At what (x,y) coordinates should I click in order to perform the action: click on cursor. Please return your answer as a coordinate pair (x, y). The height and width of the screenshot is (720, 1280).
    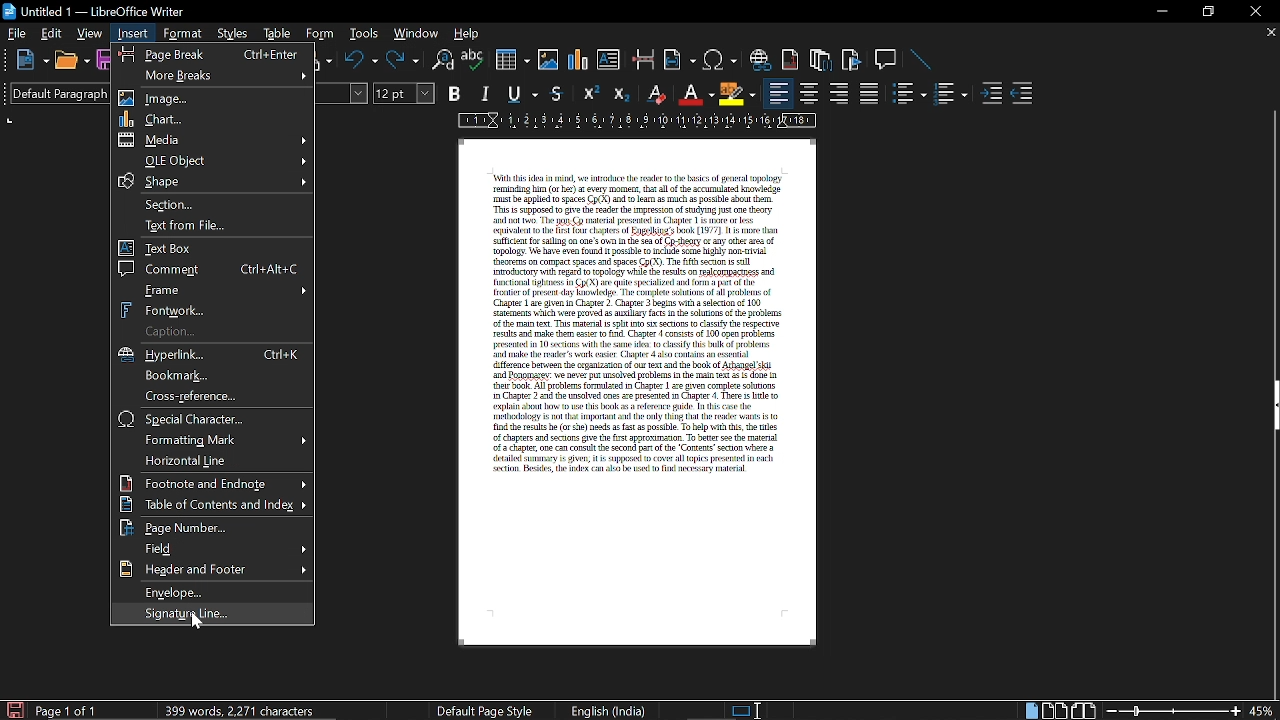
    Looking at the image, I should click on (198, 620).